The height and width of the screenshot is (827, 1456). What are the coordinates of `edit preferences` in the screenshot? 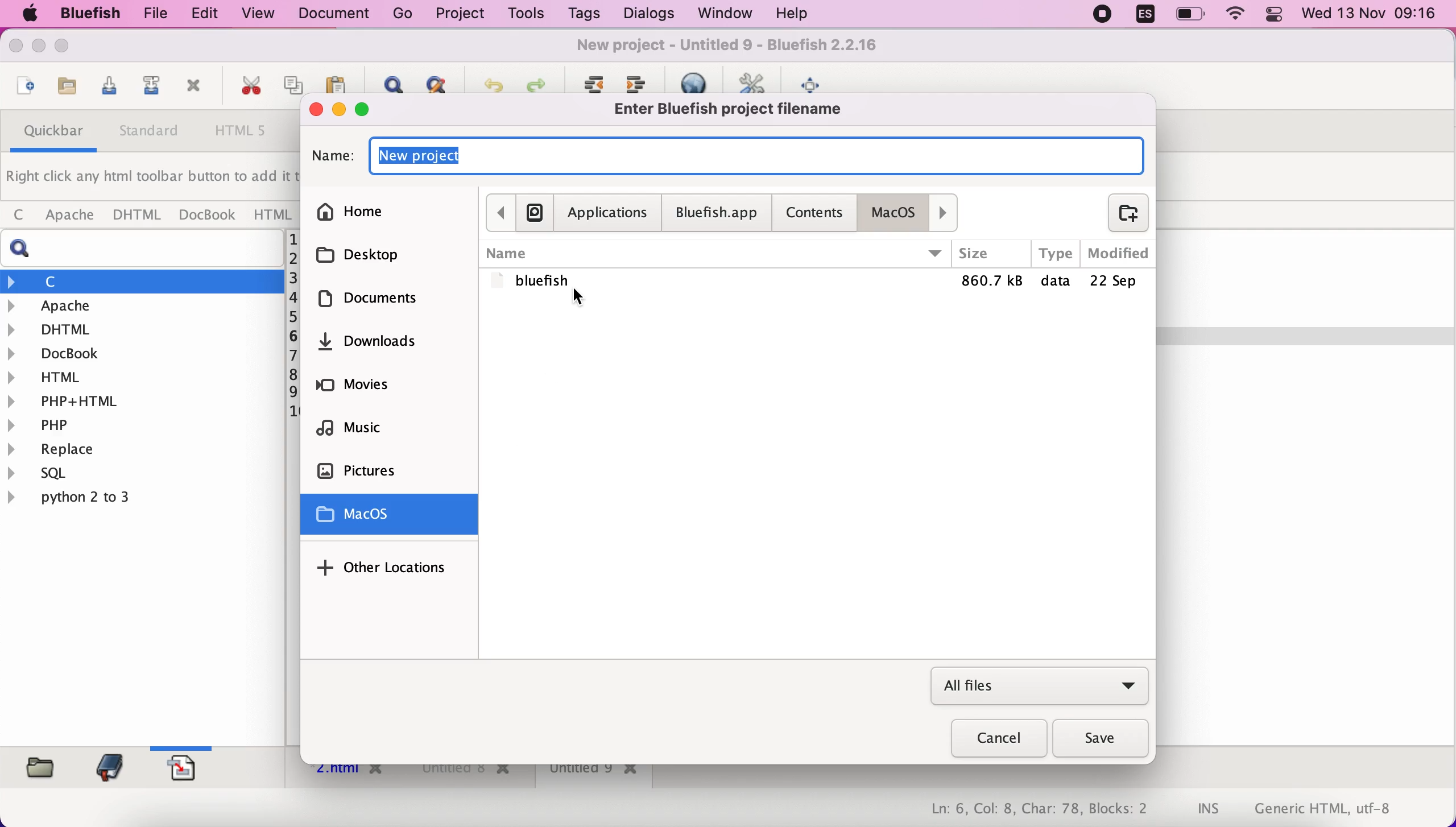 It's located at (754, 81).